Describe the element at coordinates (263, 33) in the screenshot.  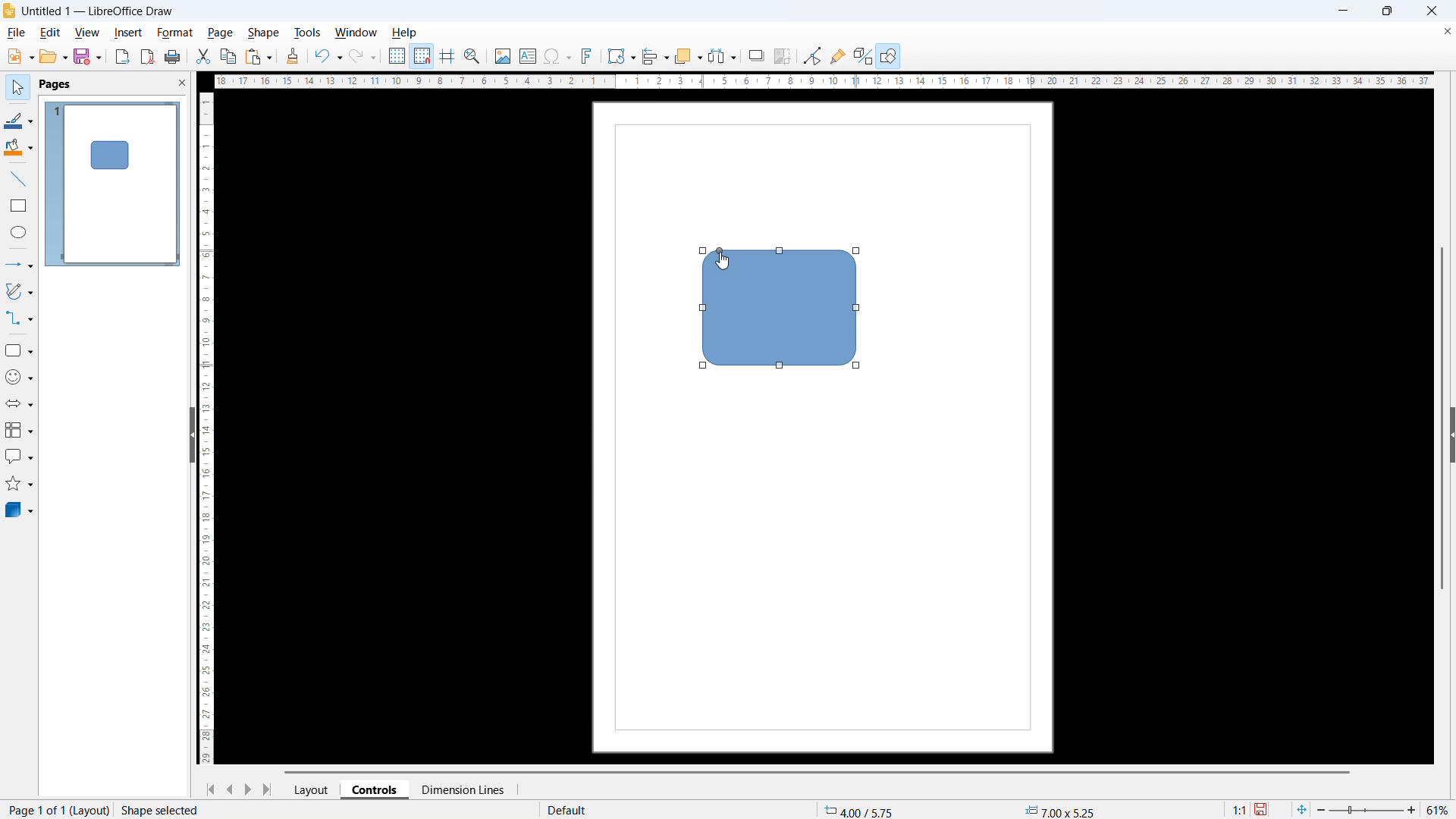
I see `shape ` at that location.